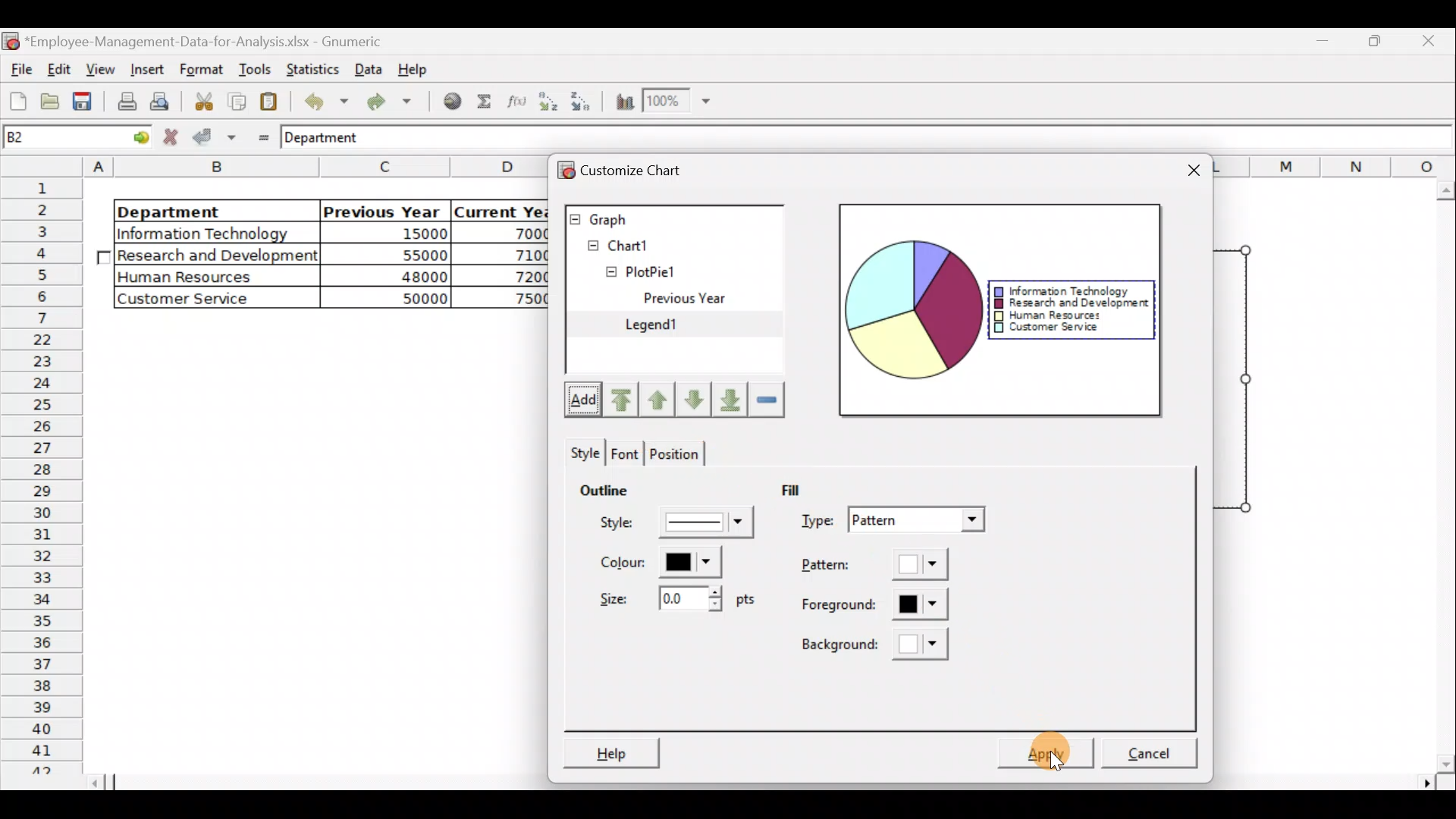 Image resolution: width=1456 pixels, height=819 pixels. I want to click on Insert hyperlink, so click(453, 102).